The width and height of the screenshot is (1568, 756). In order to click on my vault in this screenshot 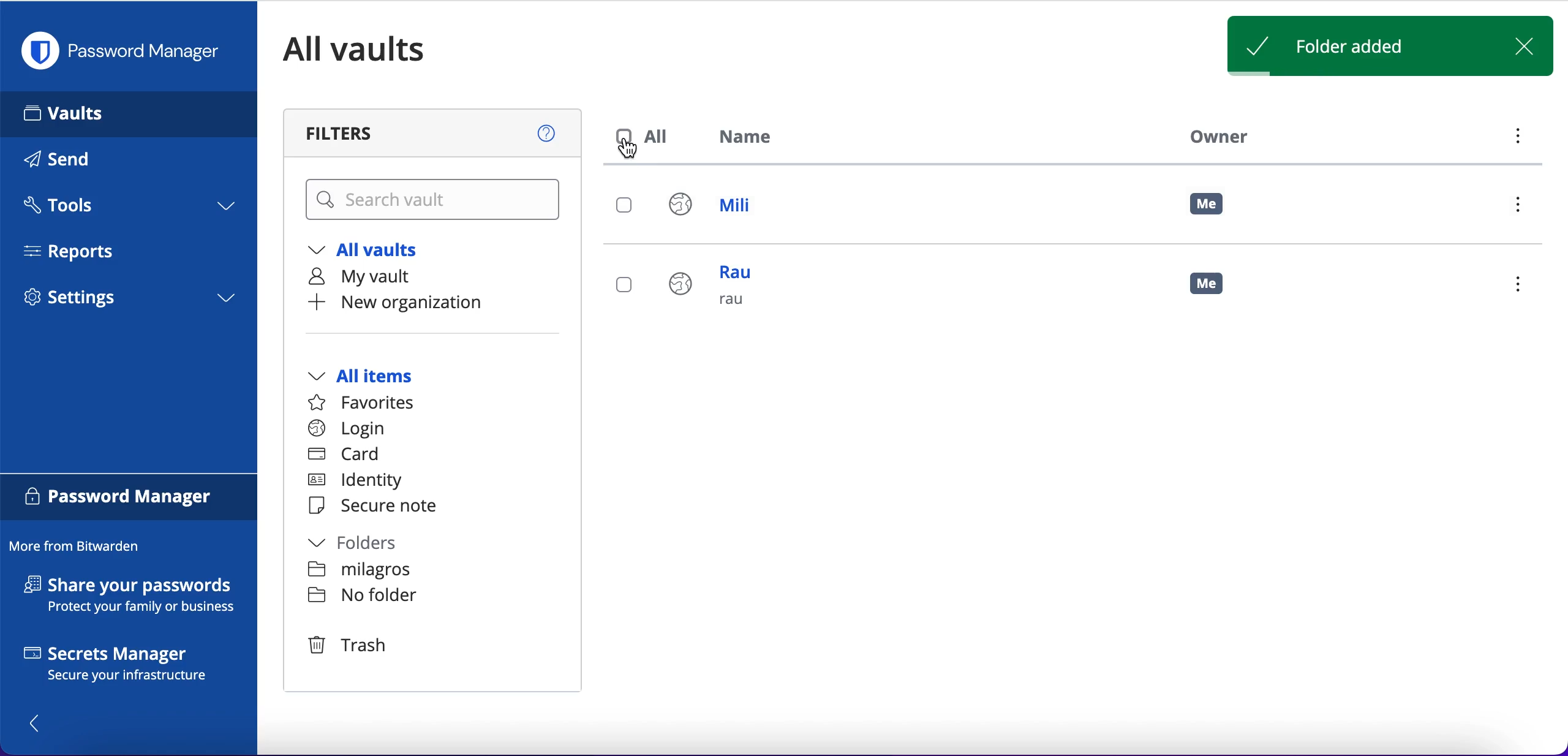, I will do `click(372, 279)`.